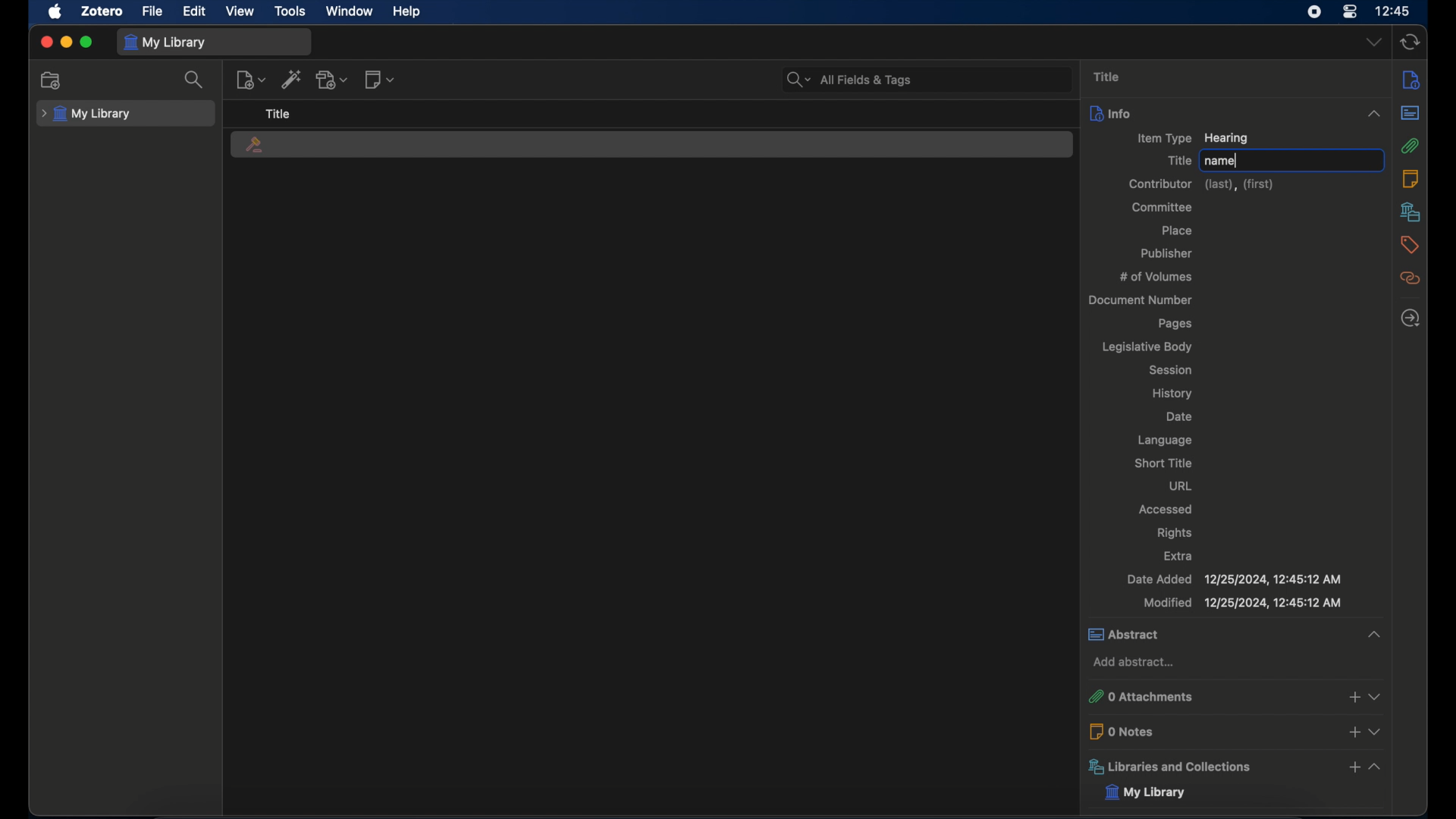  Describe the element at coordinates (194, 80) in the screenshot. I see `search` at that location.